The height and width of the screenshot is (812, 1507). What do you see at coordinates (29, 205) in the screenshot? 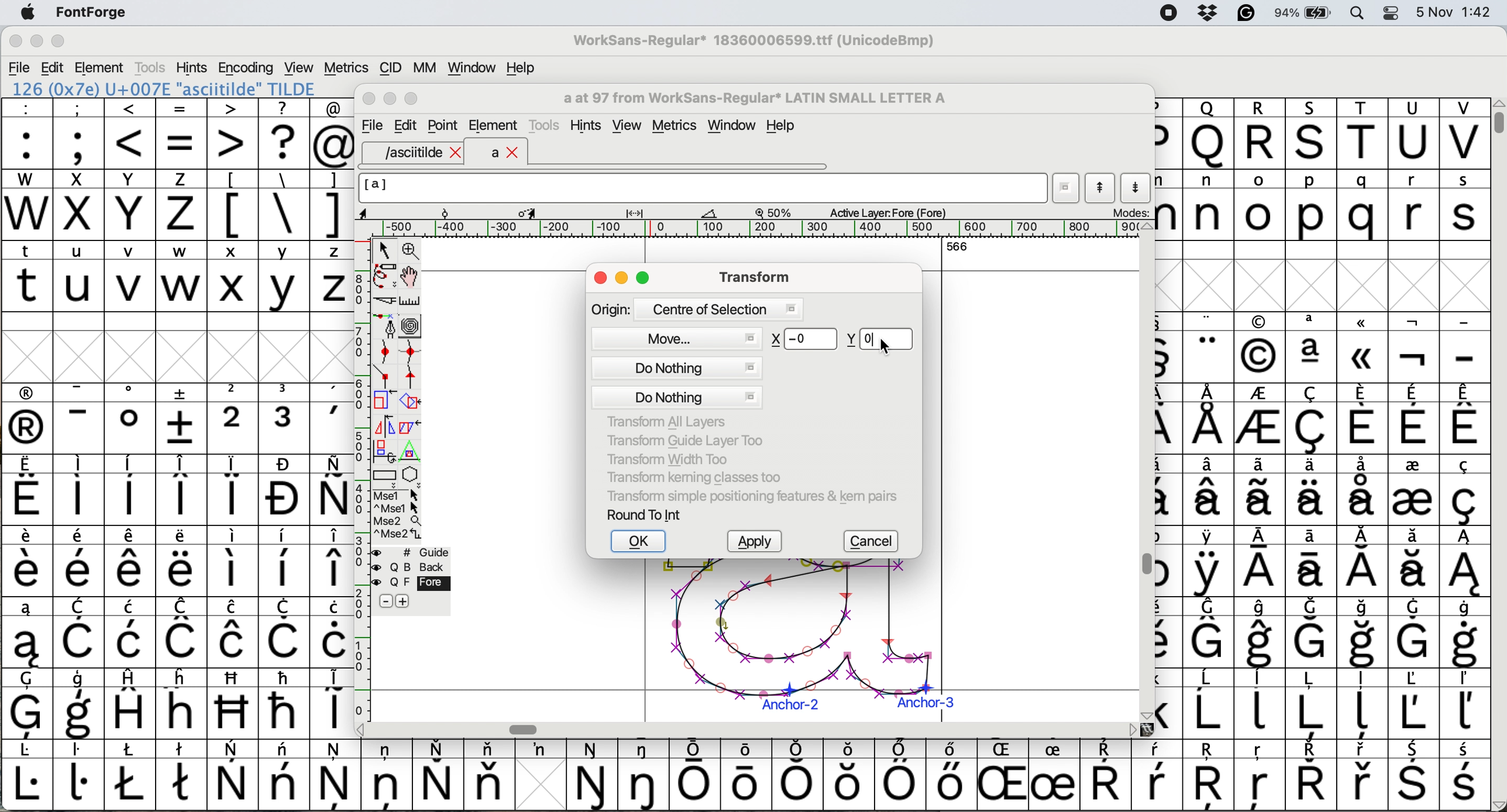
I see `W` at bounding box center [29, 205].